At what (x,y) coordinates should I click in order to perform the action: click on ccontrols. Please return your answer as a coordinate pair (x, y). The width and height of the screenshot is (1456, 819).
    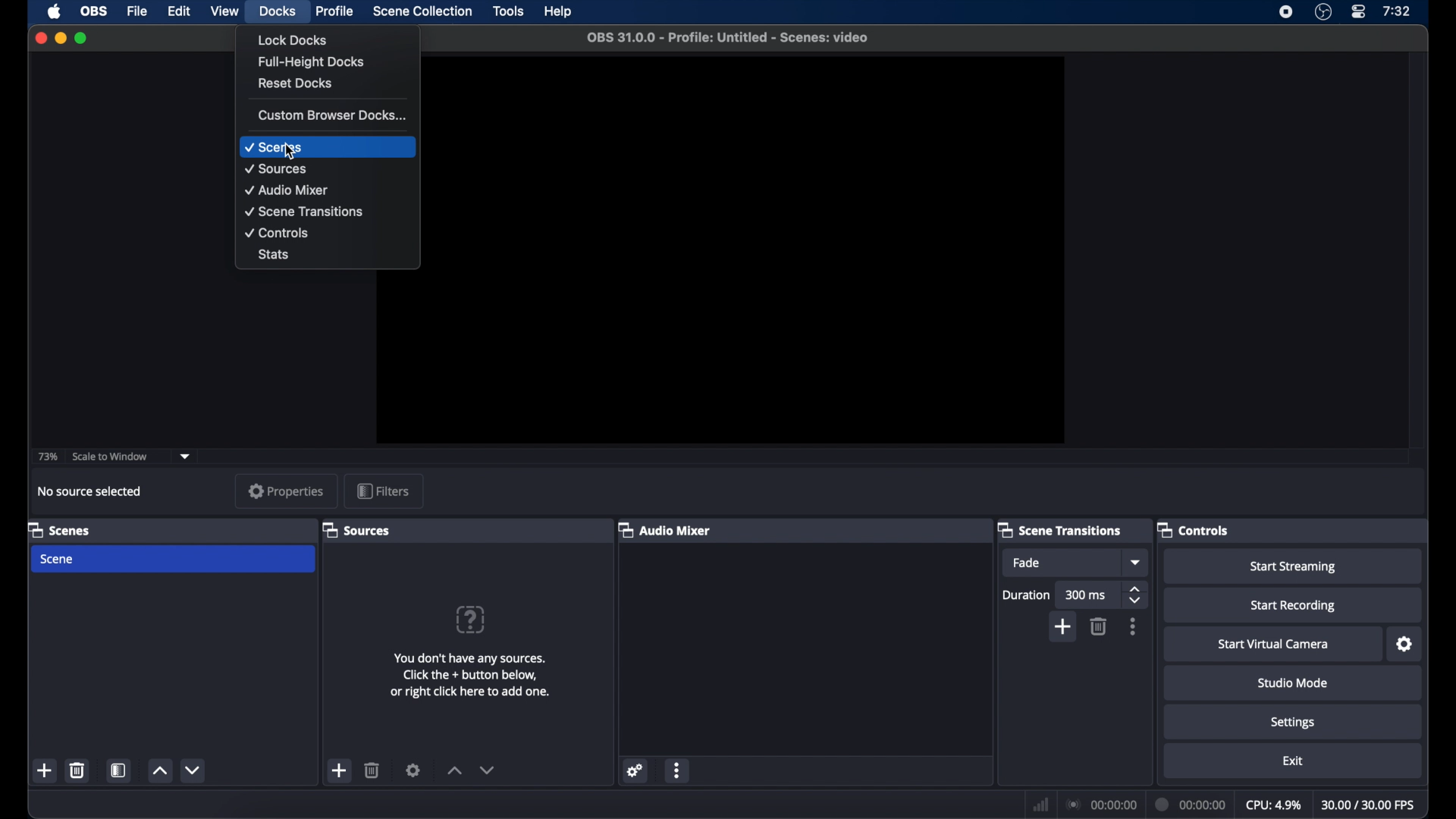
    Looking at the image, I should click on (278, 232).